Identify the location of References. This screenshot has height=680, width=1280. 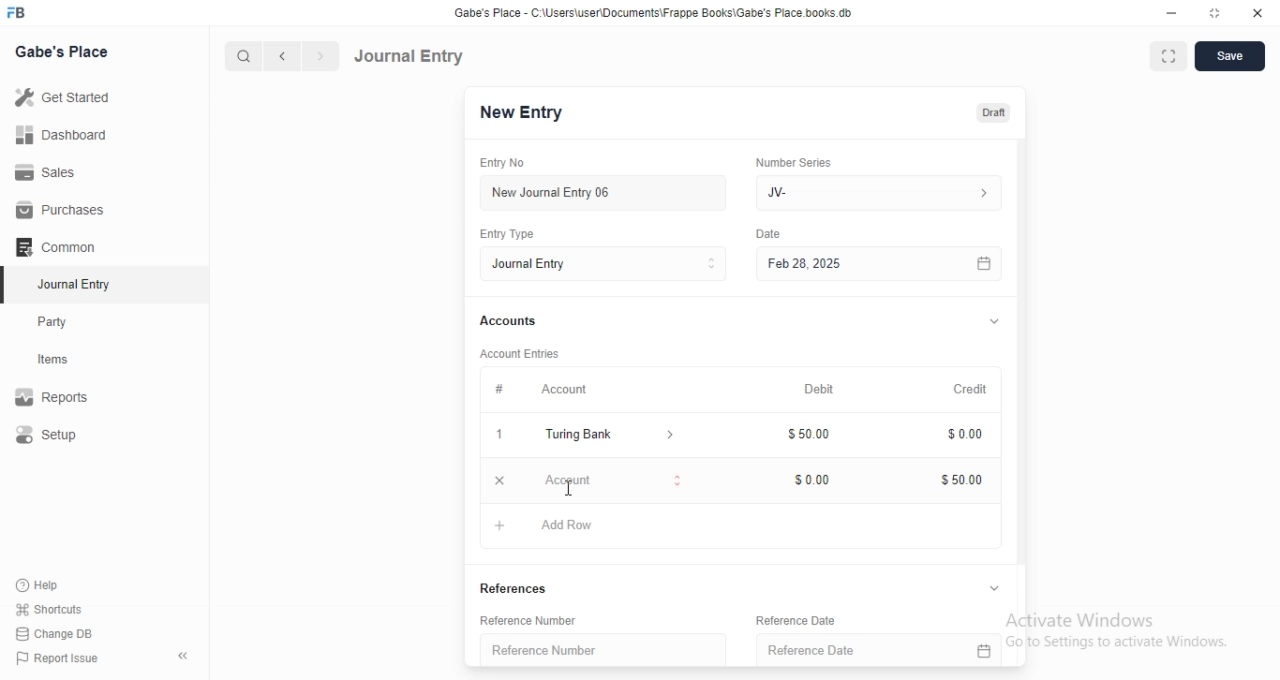
(520, 586).